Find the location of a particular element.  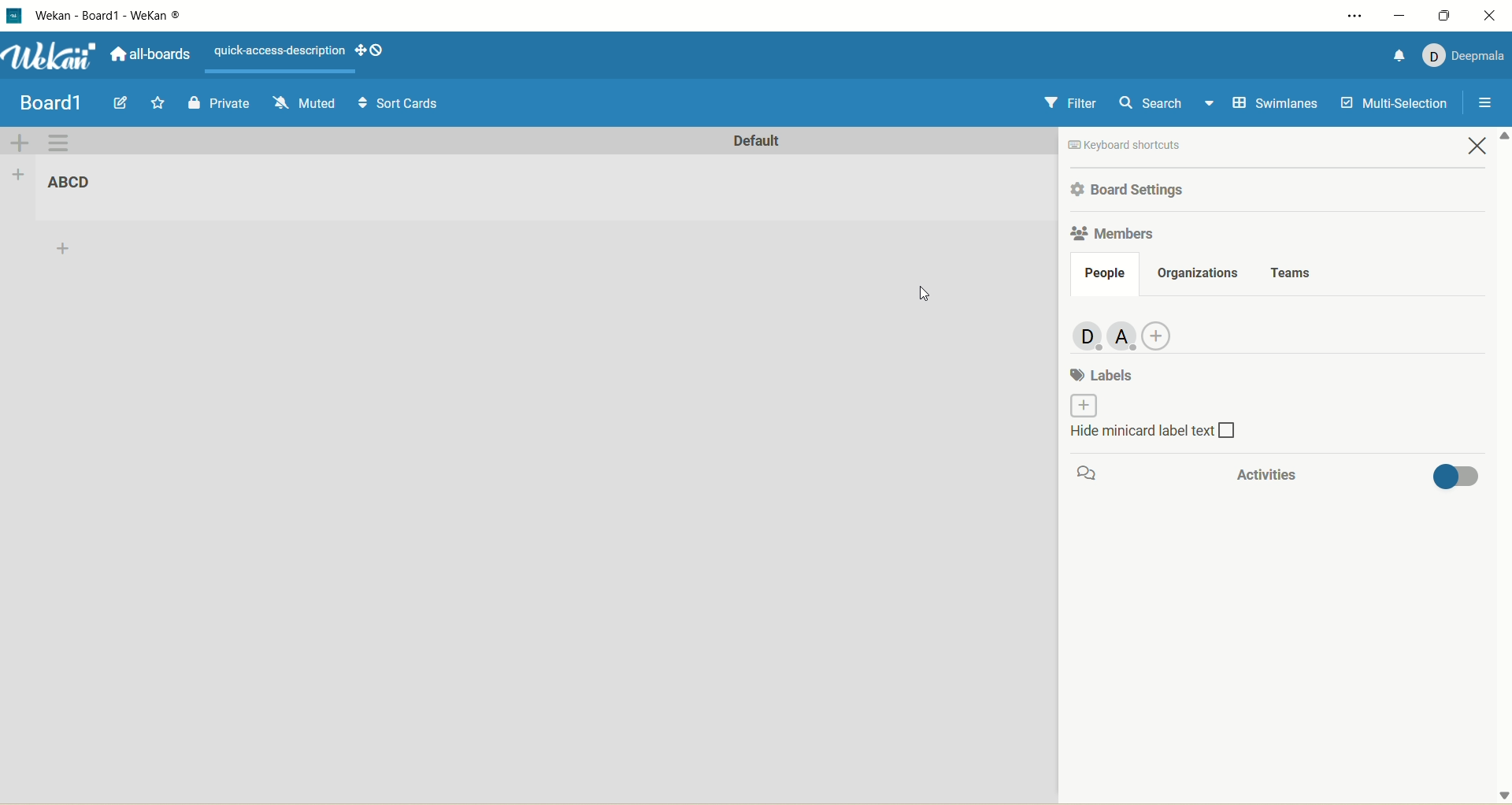

Start is located at coordinates (160, 102).